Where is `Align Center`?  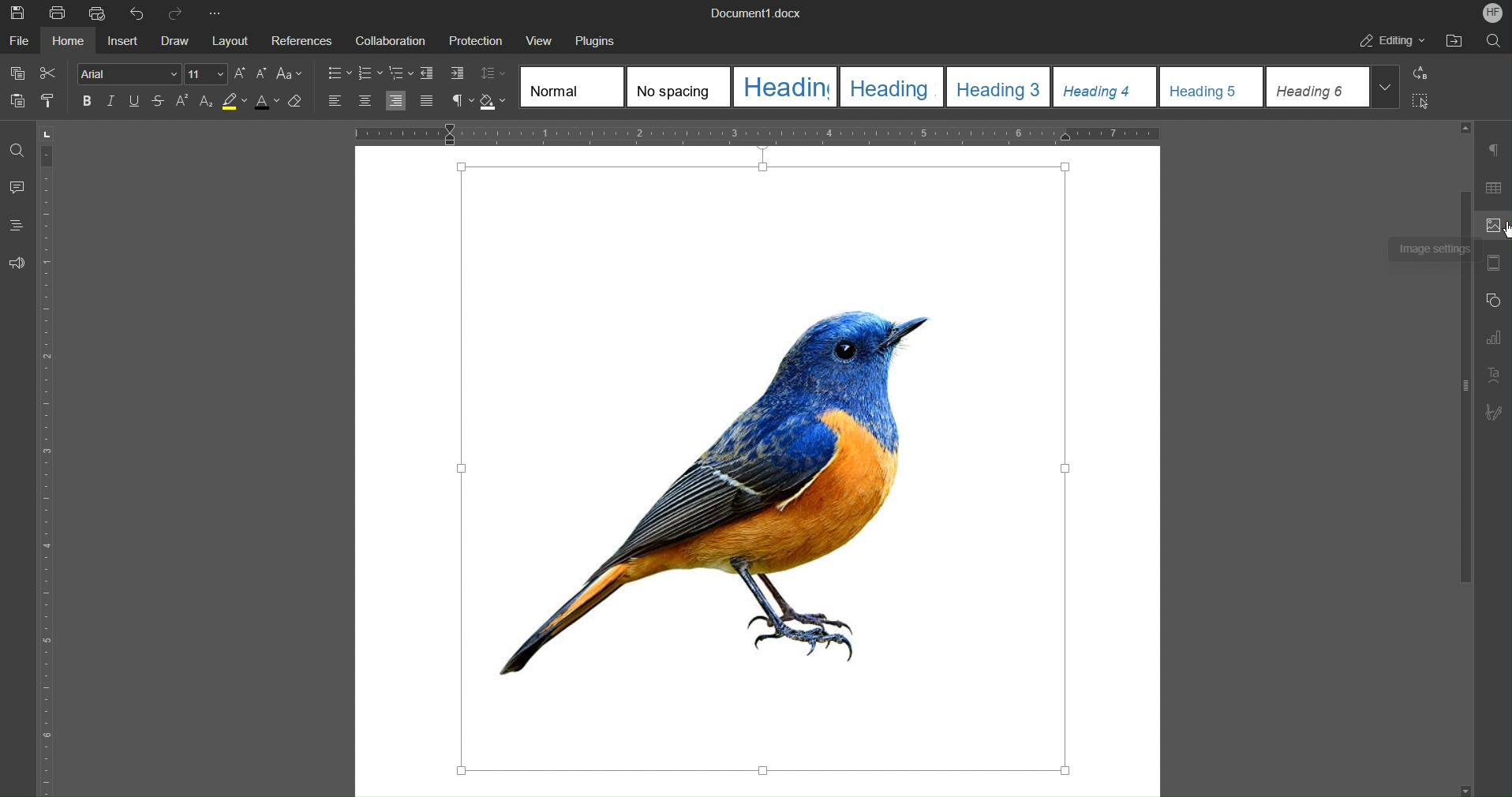
Align Center is located at coordinates (364, 102).